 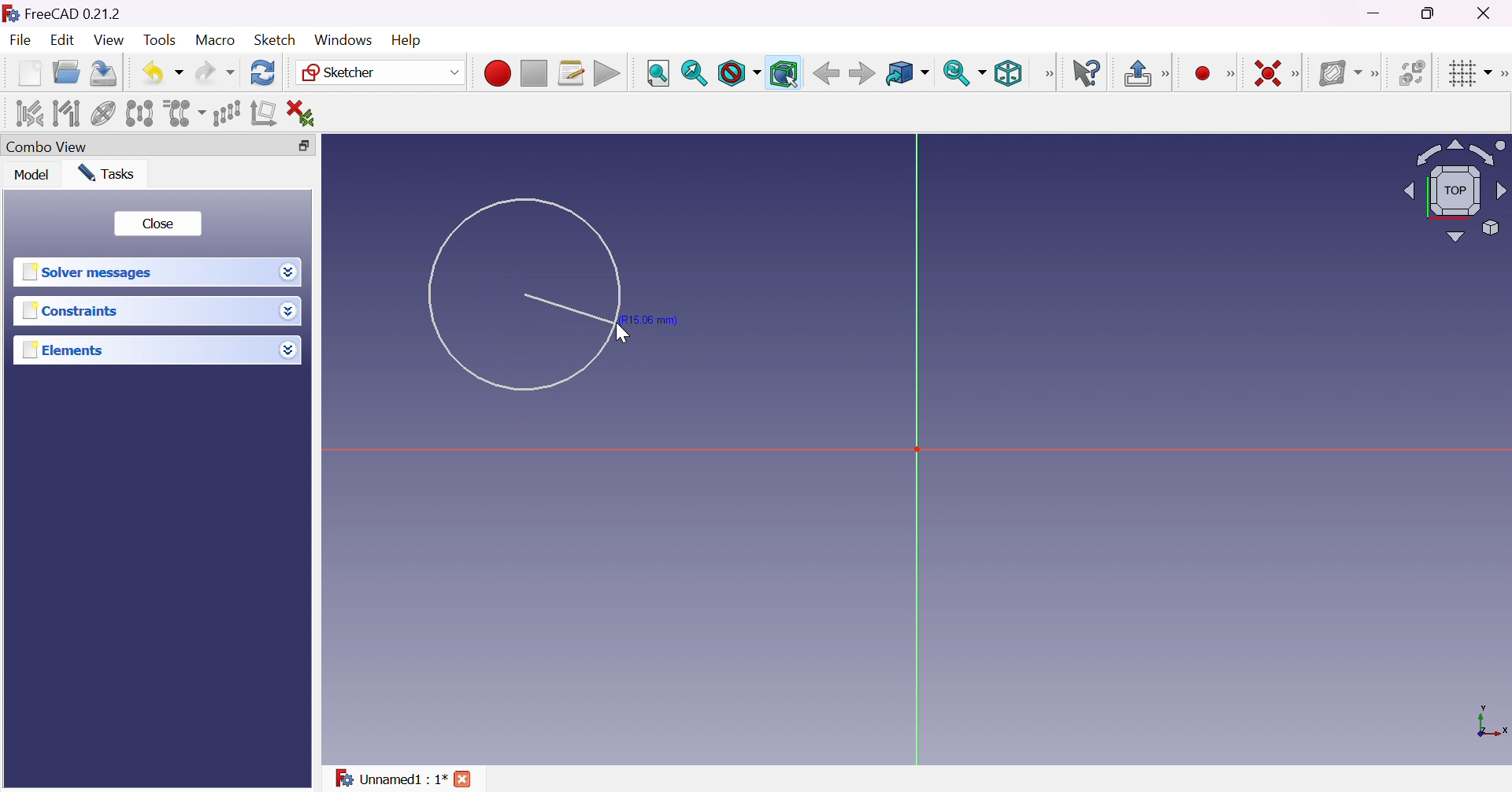 I want to click on Viewing angle, so click(x=1452, y=192).